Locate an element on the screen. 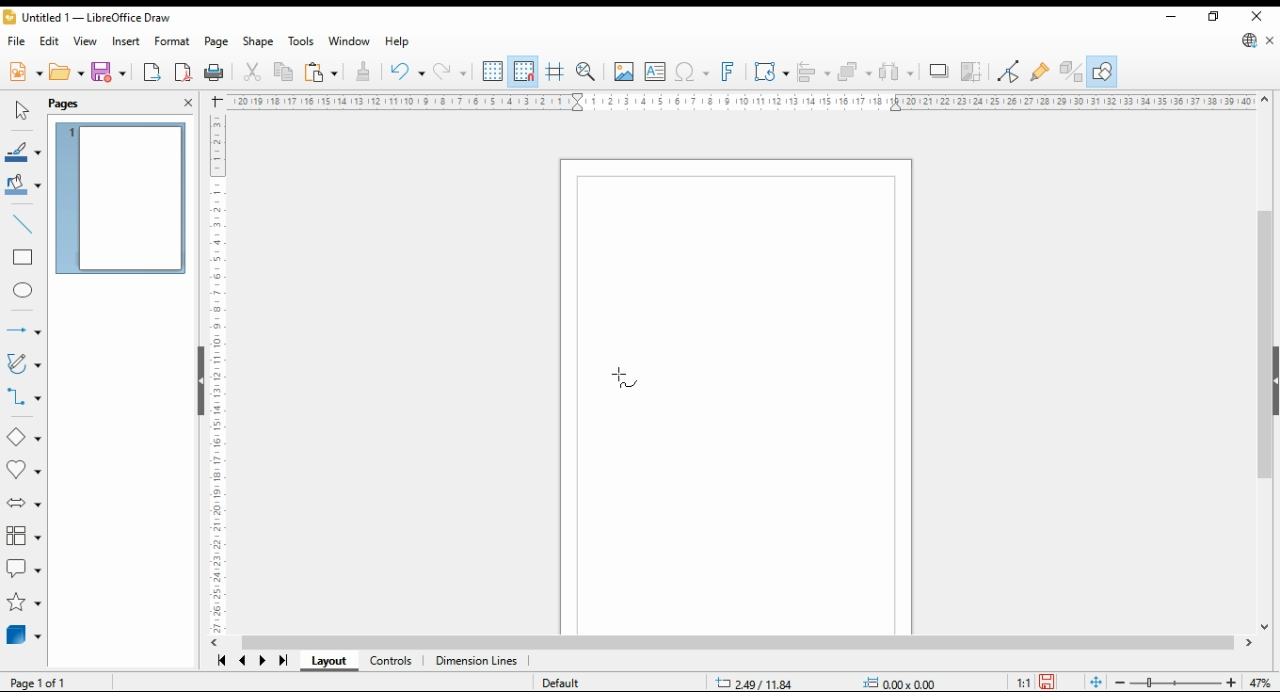 The image size is (1280, 692). -20.82/7.89 is located at coordinates (758, 684).